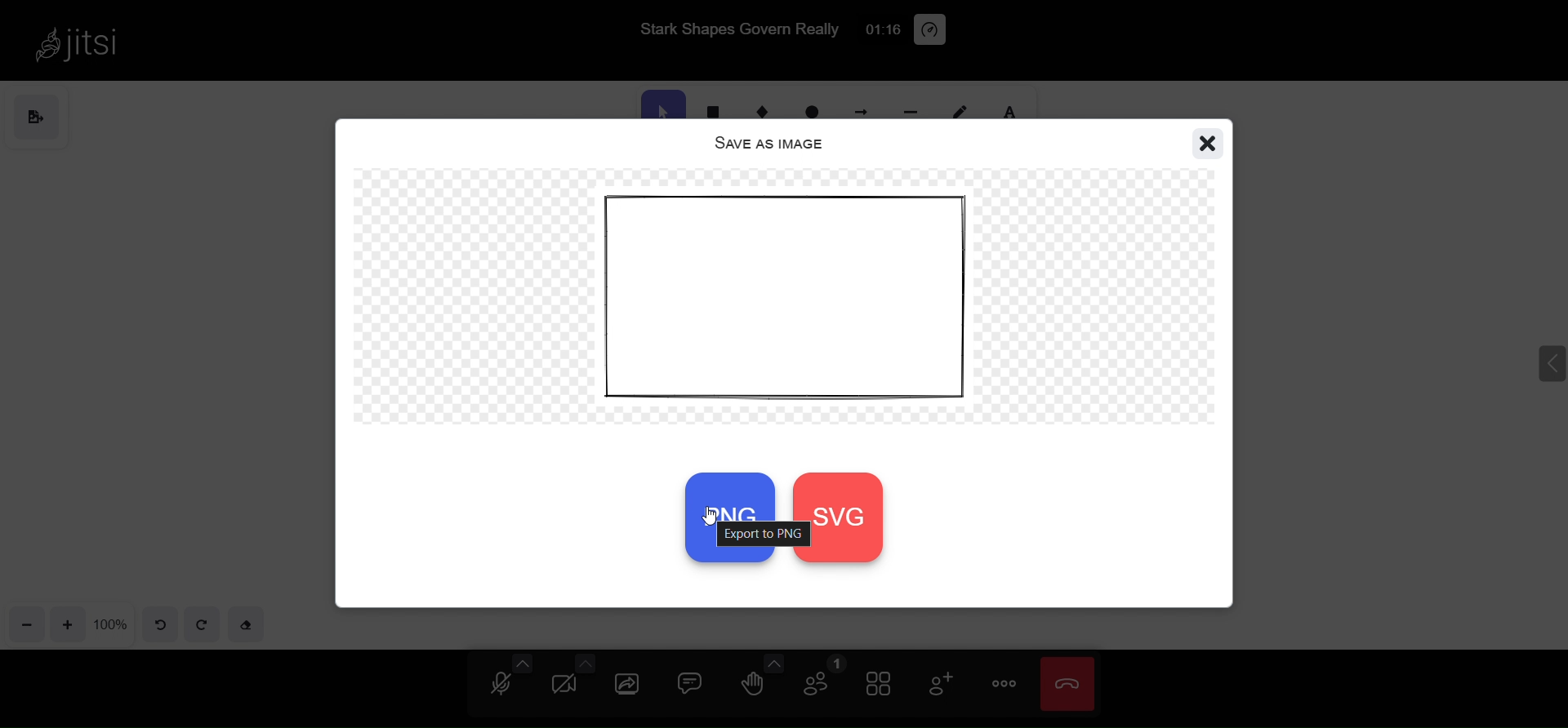  I want to click on redo, so click(204, 626).